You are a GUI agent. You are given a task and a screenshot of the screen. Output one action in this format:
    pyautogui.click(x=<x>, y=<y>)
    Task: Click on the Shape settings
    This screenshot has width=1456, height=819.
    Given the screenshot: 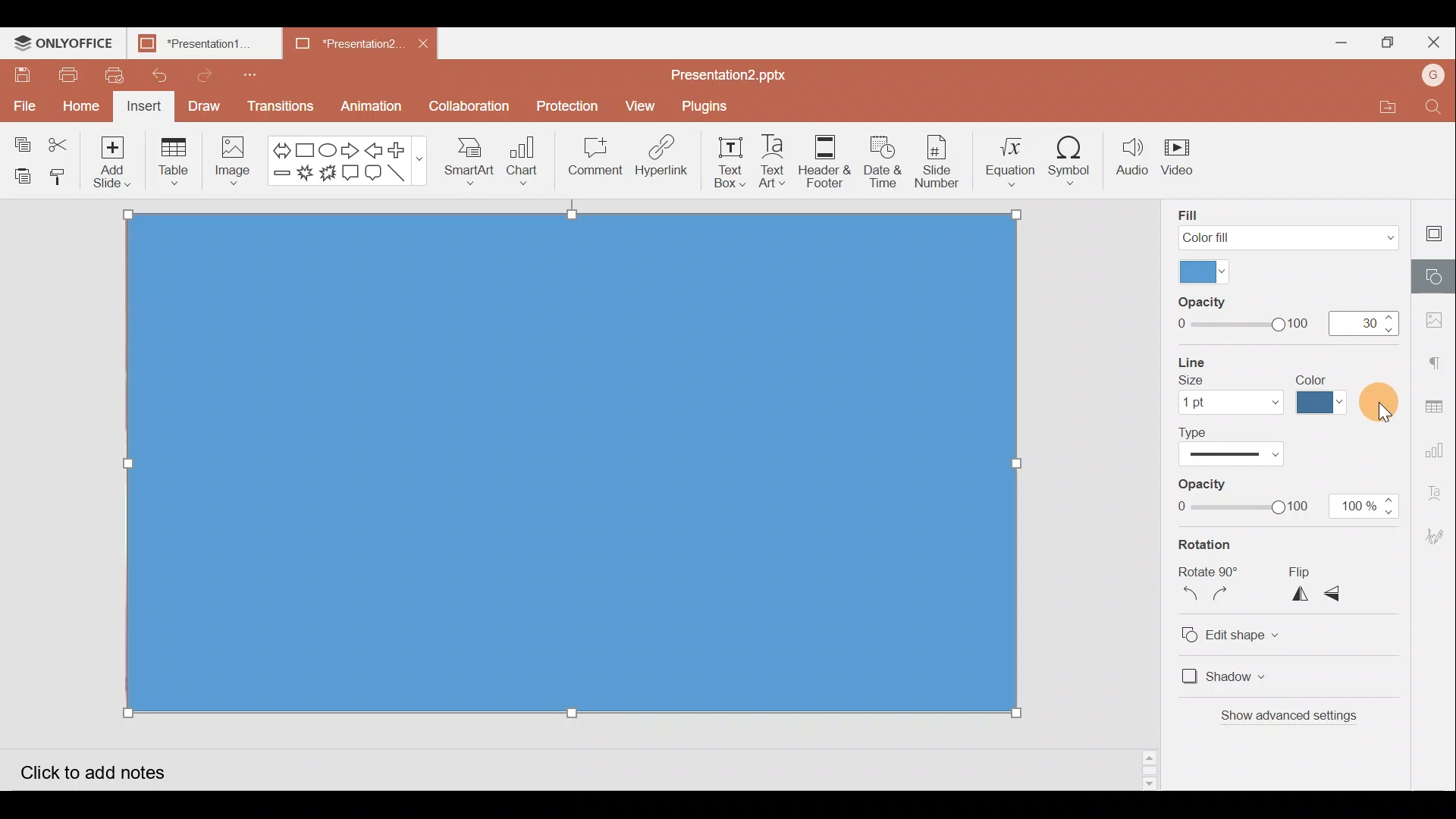 What is the action you would take?
    pyautogui.click(x=1434, y=274)
    